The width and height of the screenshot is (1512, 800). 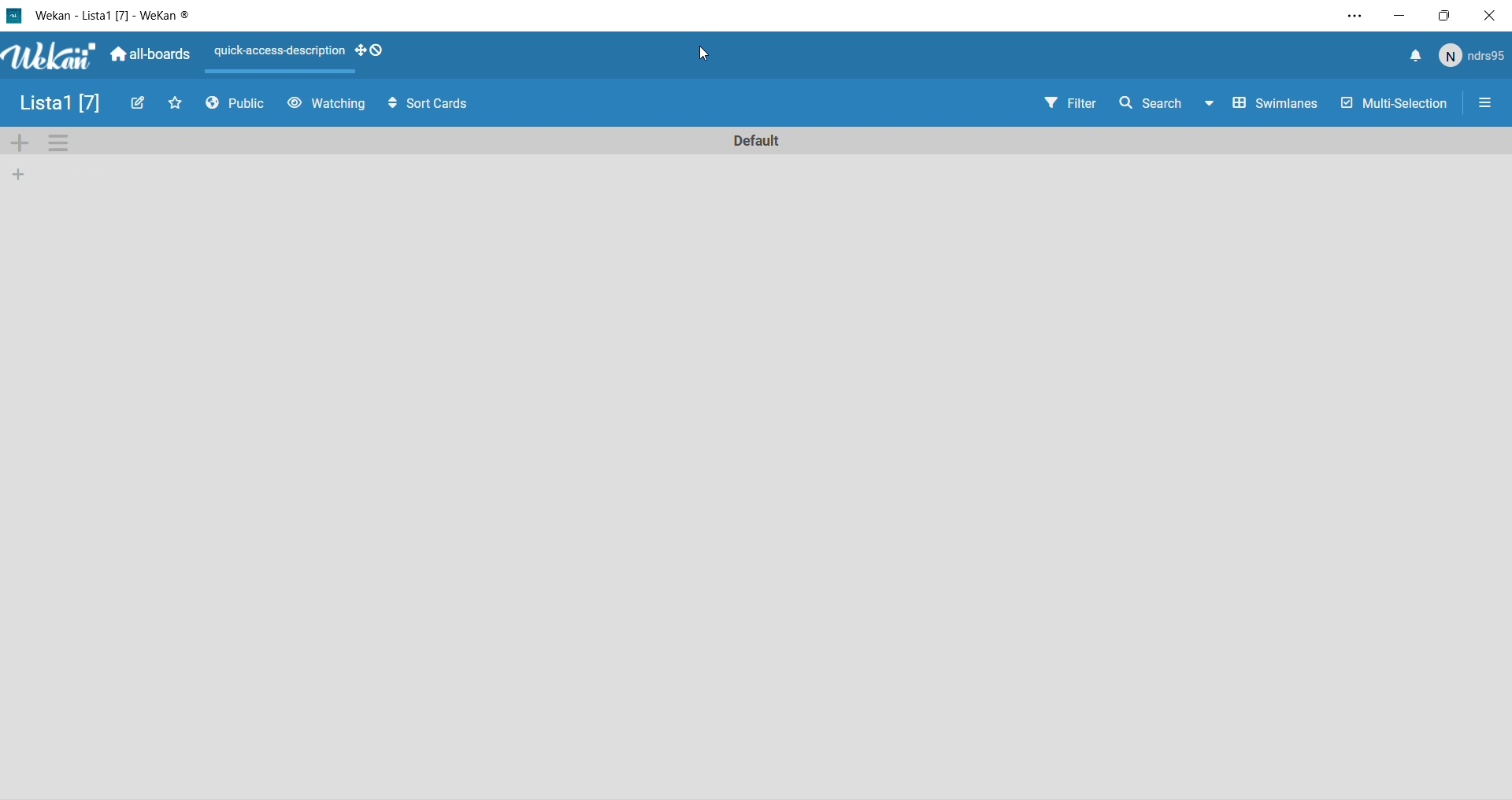 I want to click on Add, so click(x=16, y=146).